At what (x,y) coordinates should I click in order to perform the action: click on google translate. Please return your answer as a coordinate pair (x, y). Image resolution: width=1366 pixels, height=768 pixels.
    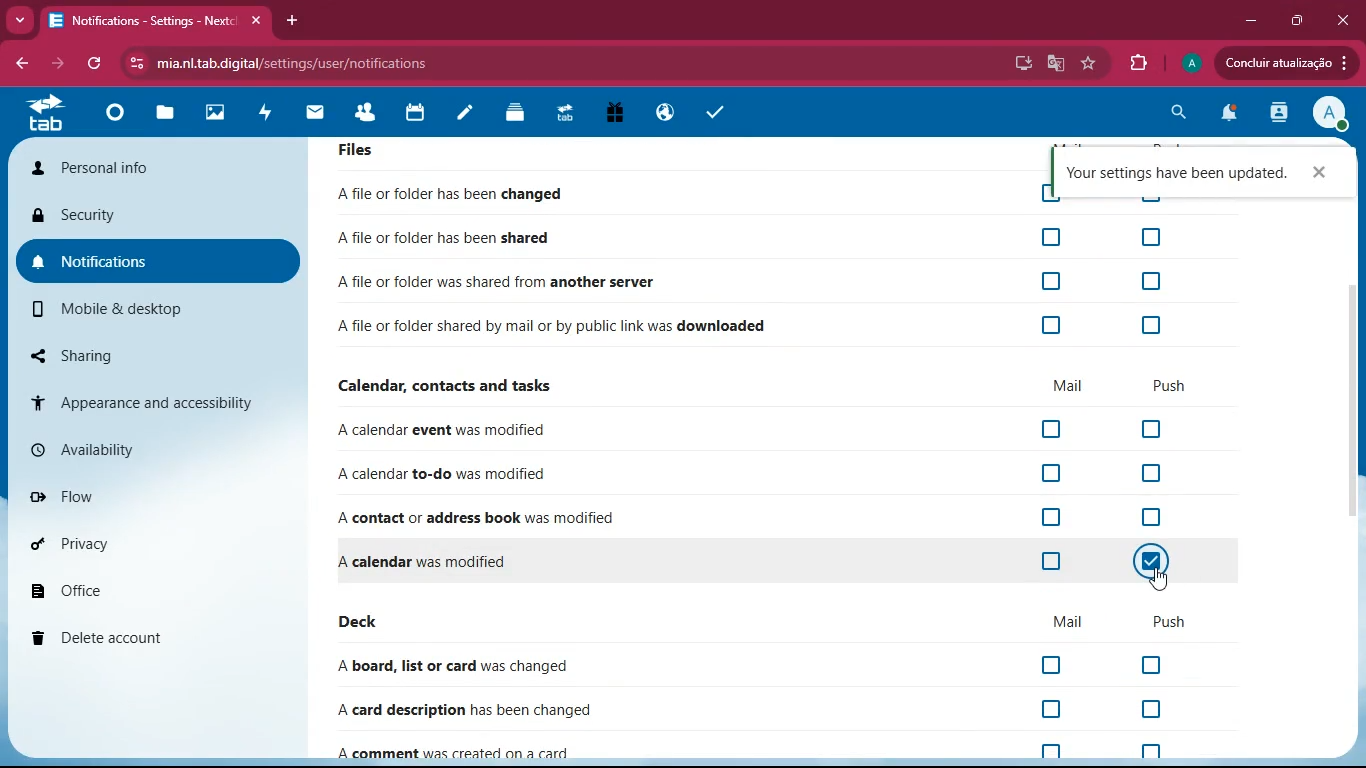
    Looking at the image, I should click on (1055, 63).